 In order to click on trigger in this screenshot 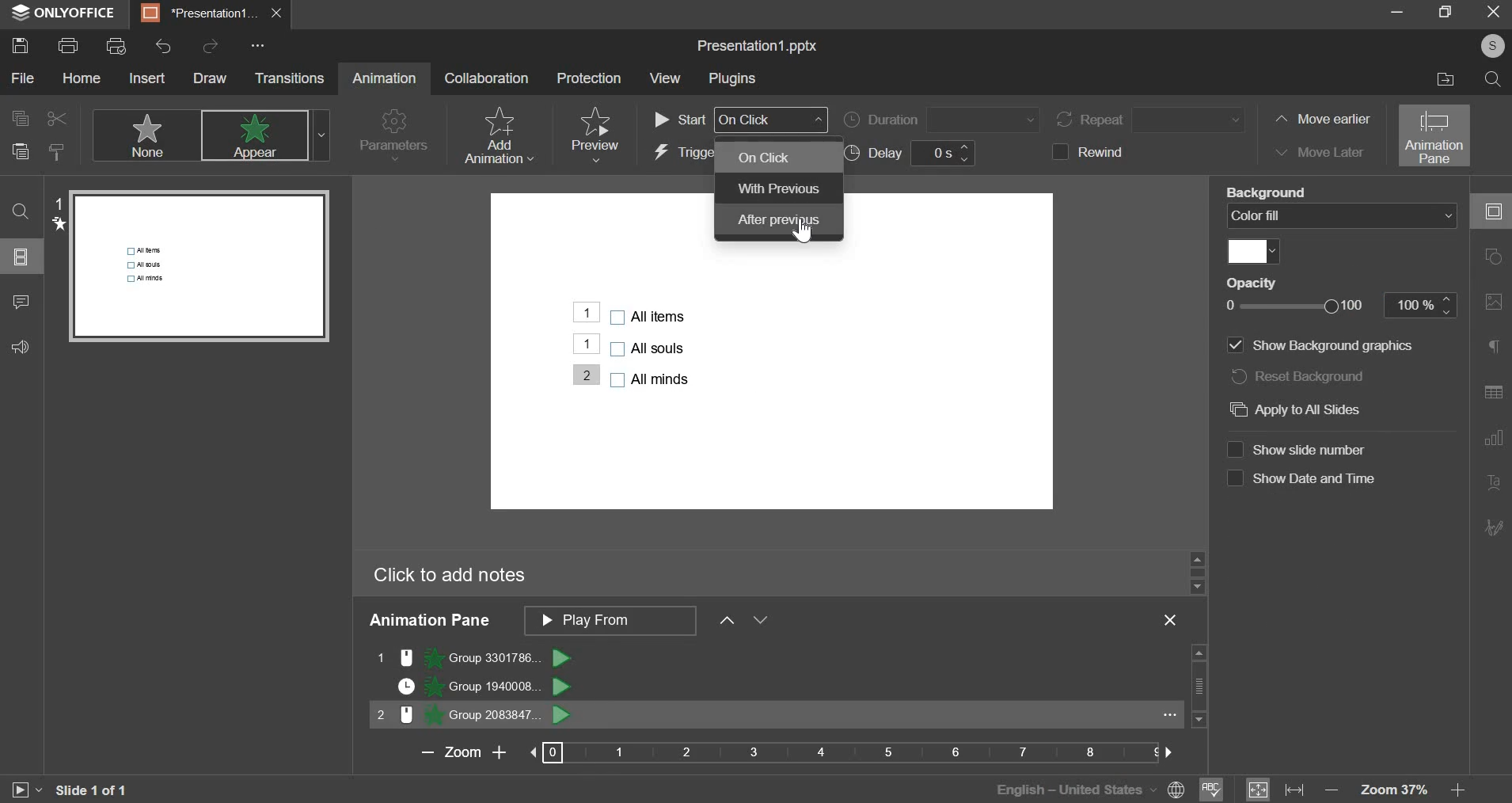, I will do `click(683, 154)`.